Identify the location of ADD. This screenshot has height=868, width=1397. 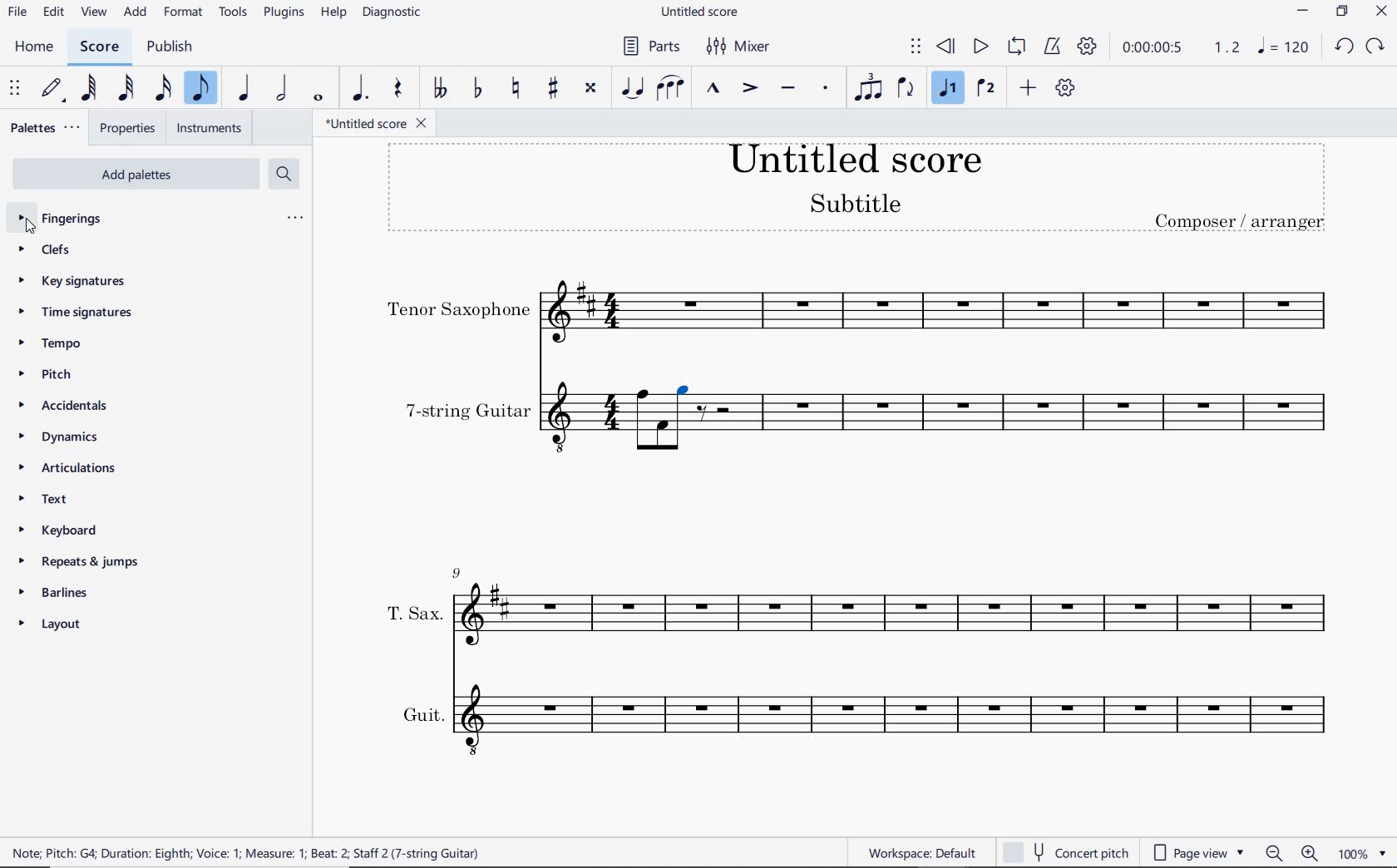
(1026, 89).